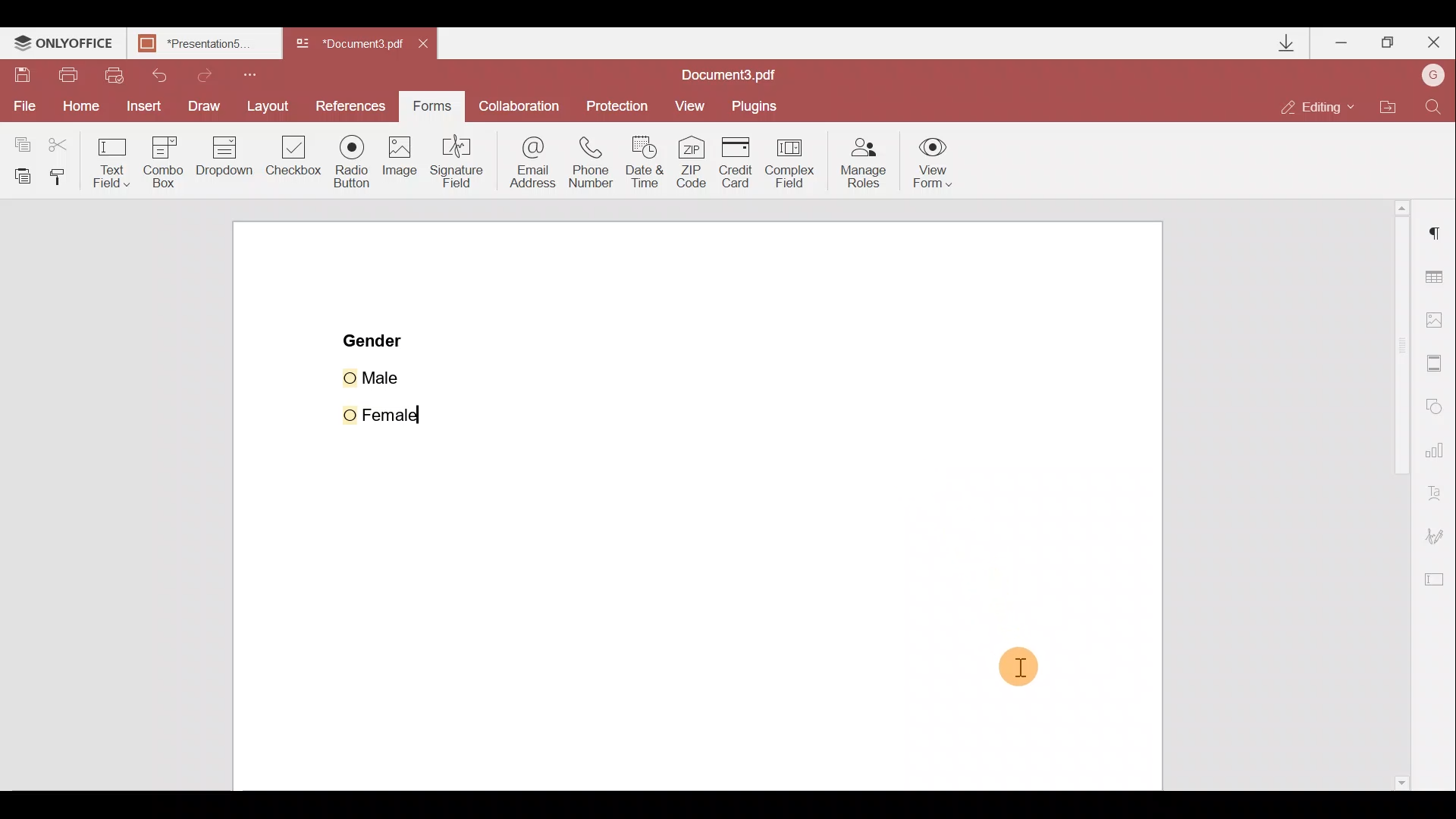 This screenshot has height=819, width=1456. I want to click on Image settings, so click(1442, 321).